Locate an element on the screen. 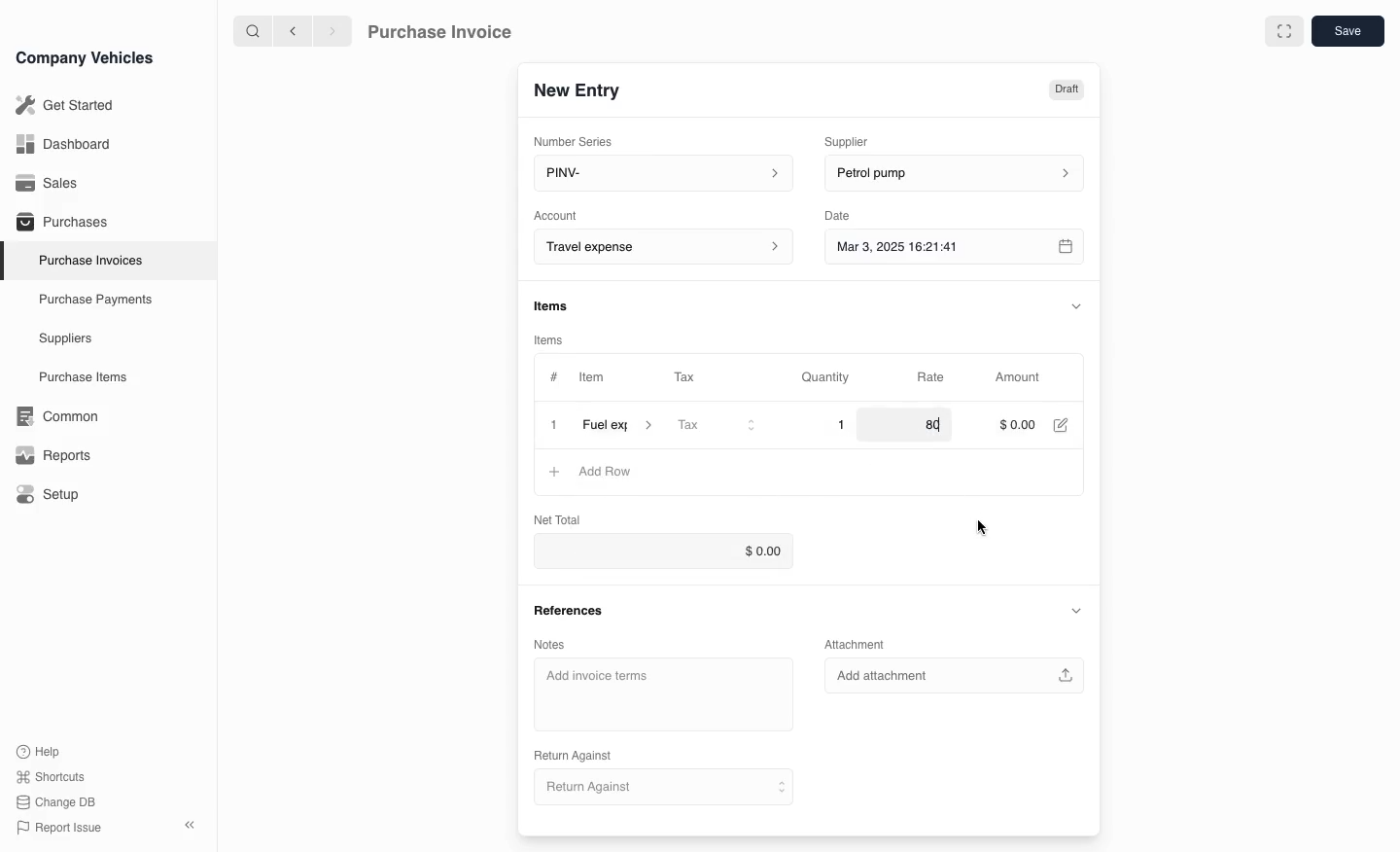 The width and height of the screenshot is (1400, 852). Purchase Payments is located at coordinates (93, 300).